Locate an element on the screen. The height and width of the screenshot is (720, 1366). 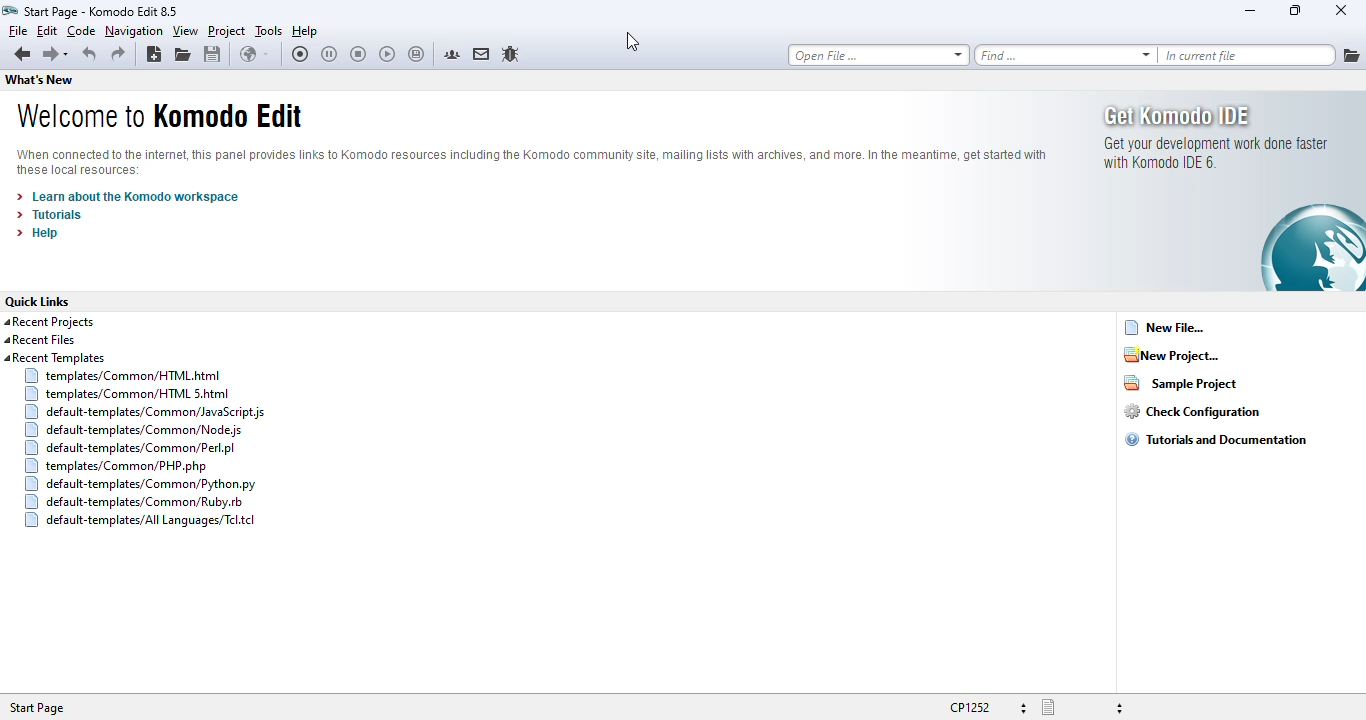
recent locations is located at coordinates (70, 55).